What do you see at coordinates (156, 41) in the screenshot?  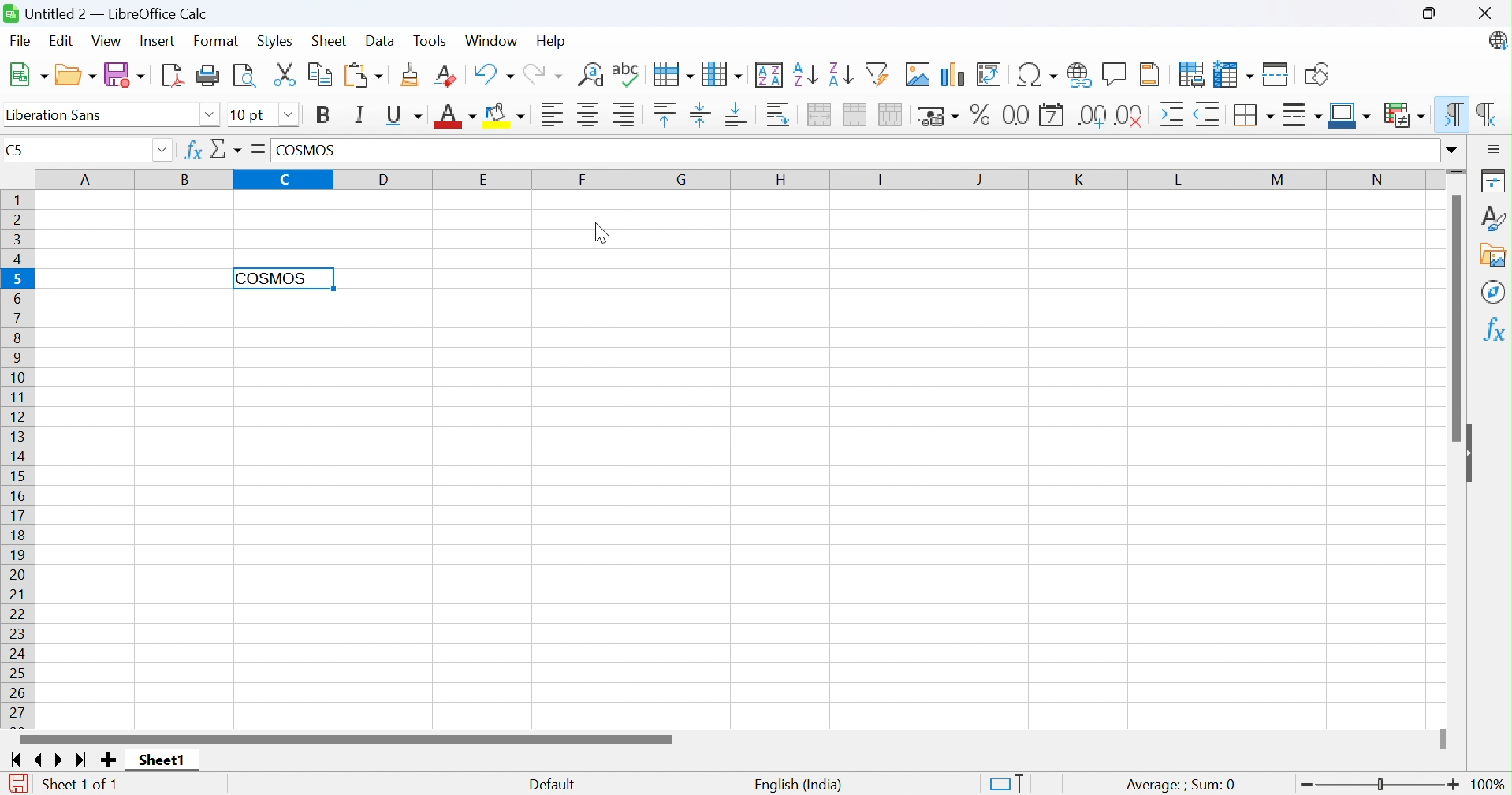 I see `Insert` at bounding box center [156, 41].